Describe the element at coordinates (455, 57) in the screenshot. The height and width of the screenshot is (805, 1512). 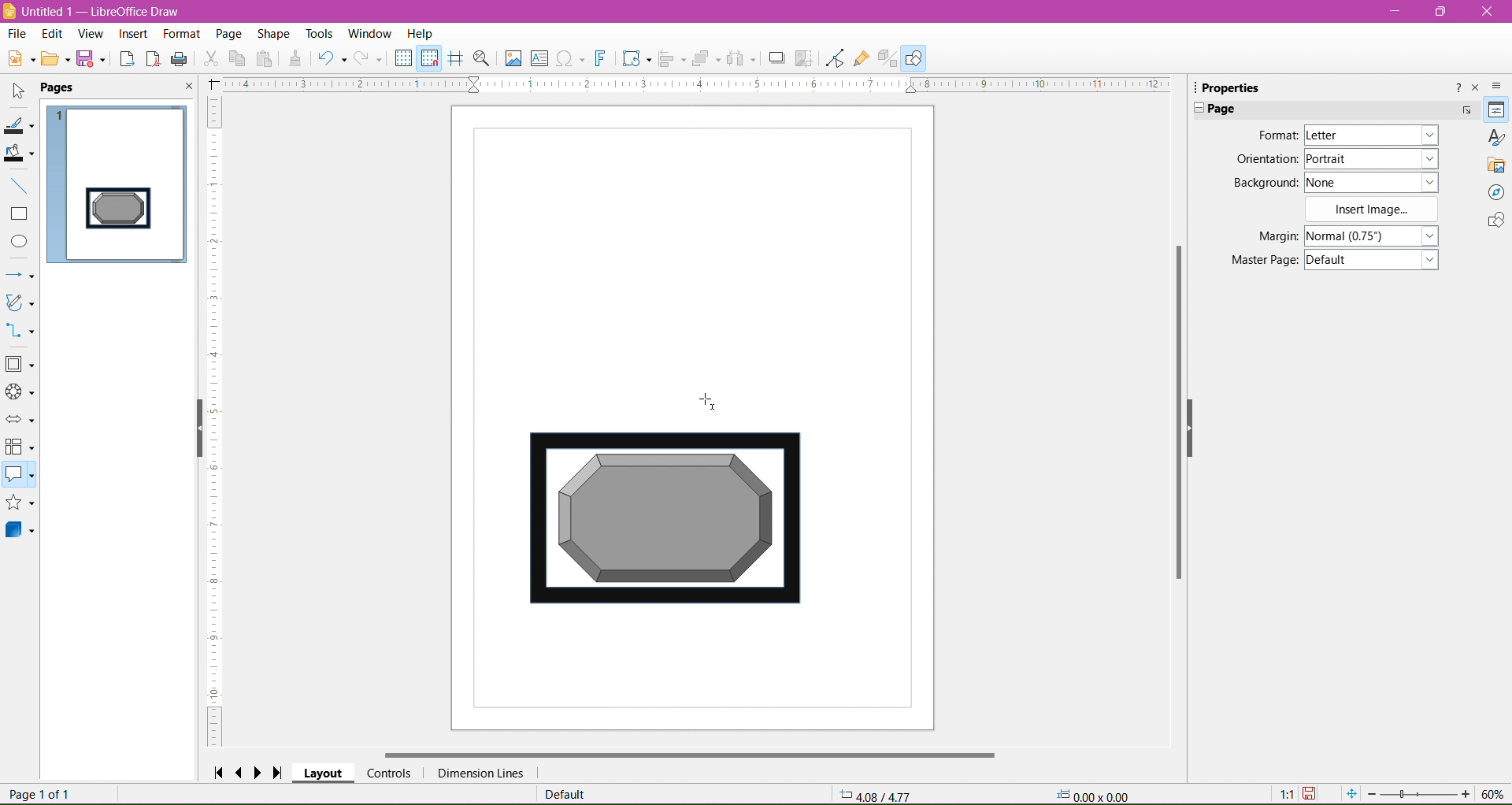
I see `Helplines while moving` at that location.